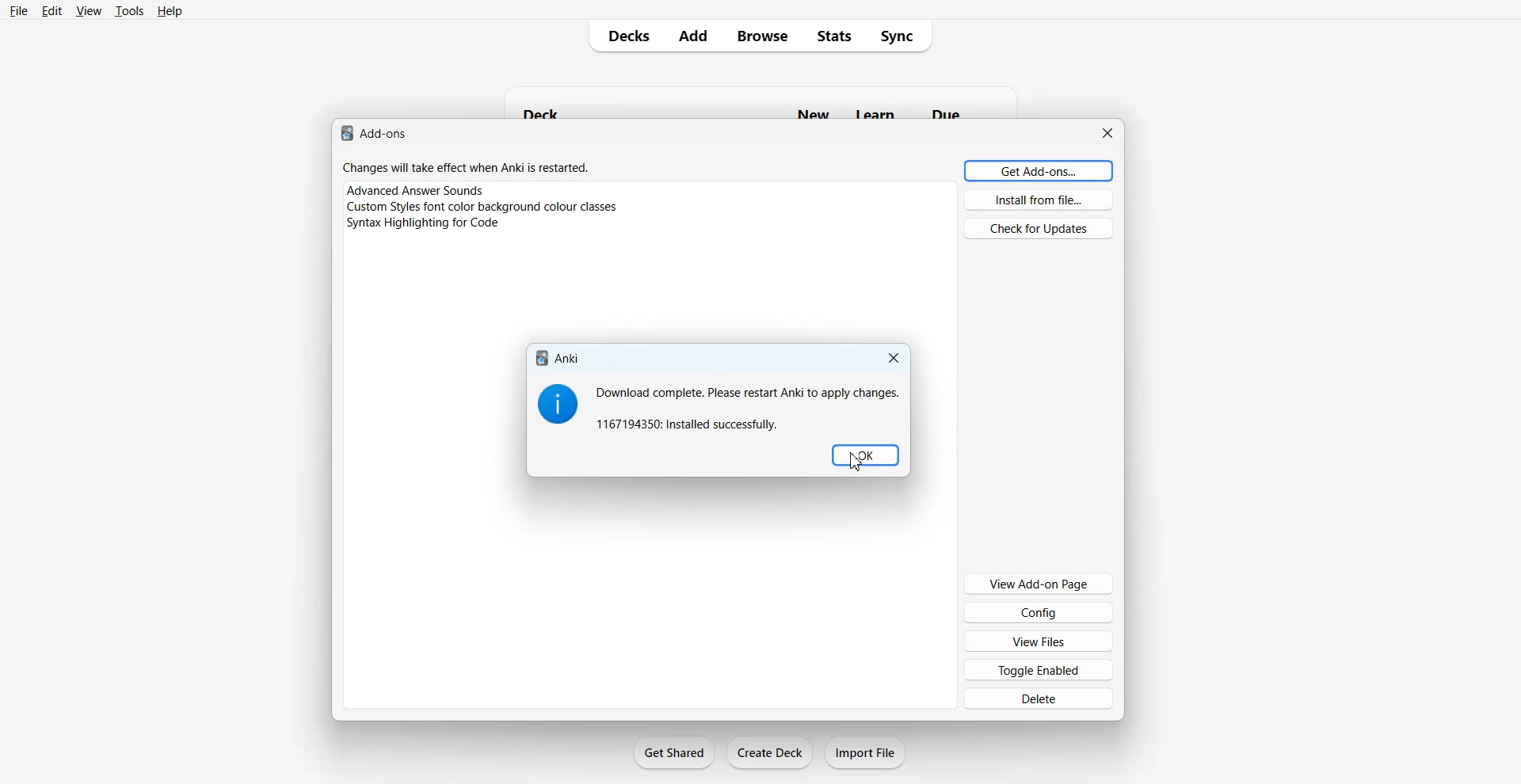 This screenshot has width=1521, height=784. What do you see at coordinates (486, 206) in the screenshot?
I see `‘Custom Styles font color background colour classes` at bounding box center [486, 206].